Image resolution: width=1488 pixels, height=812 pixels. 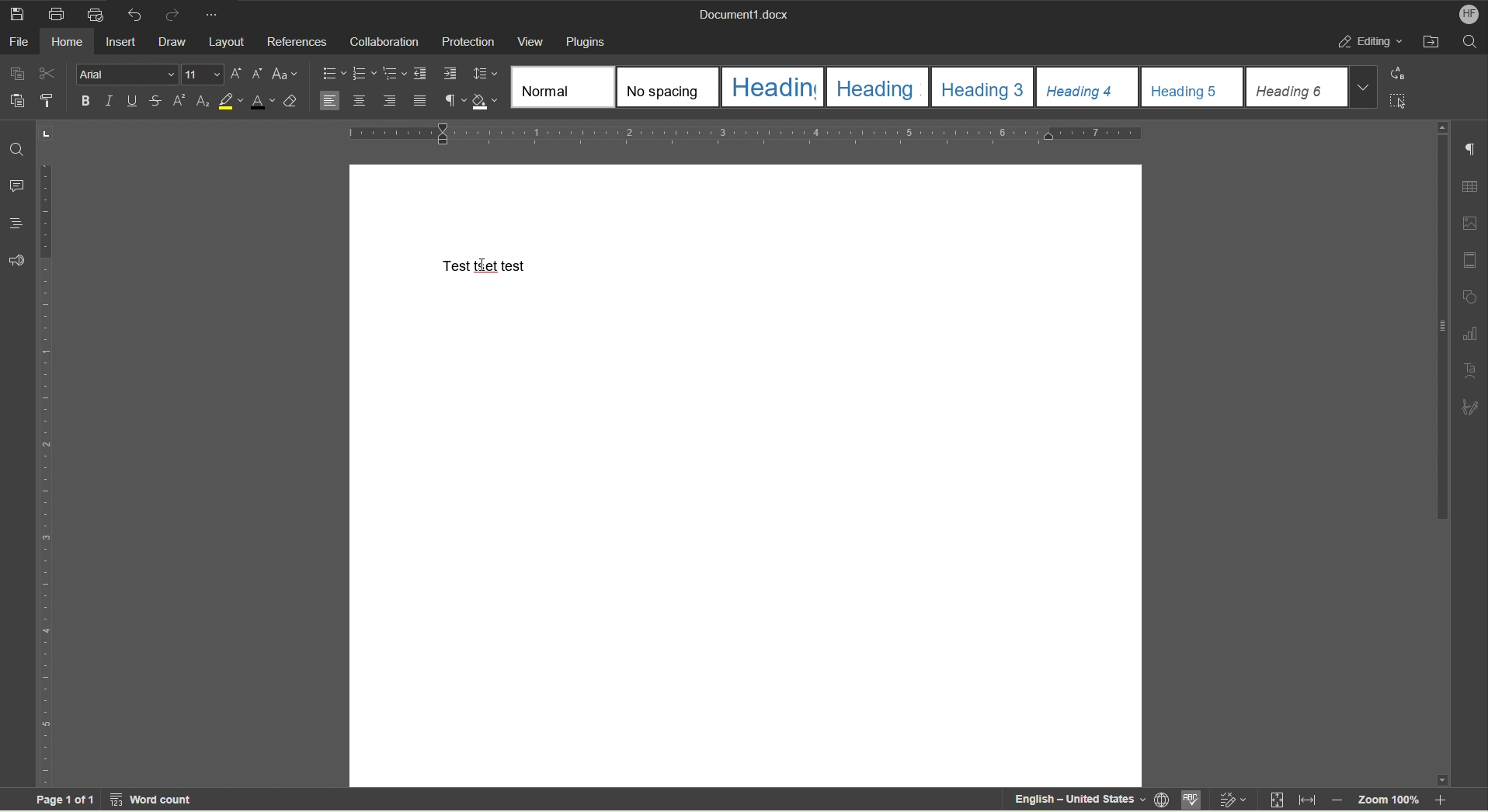 I want to click on Centre Align, so click(x=360, y=102).